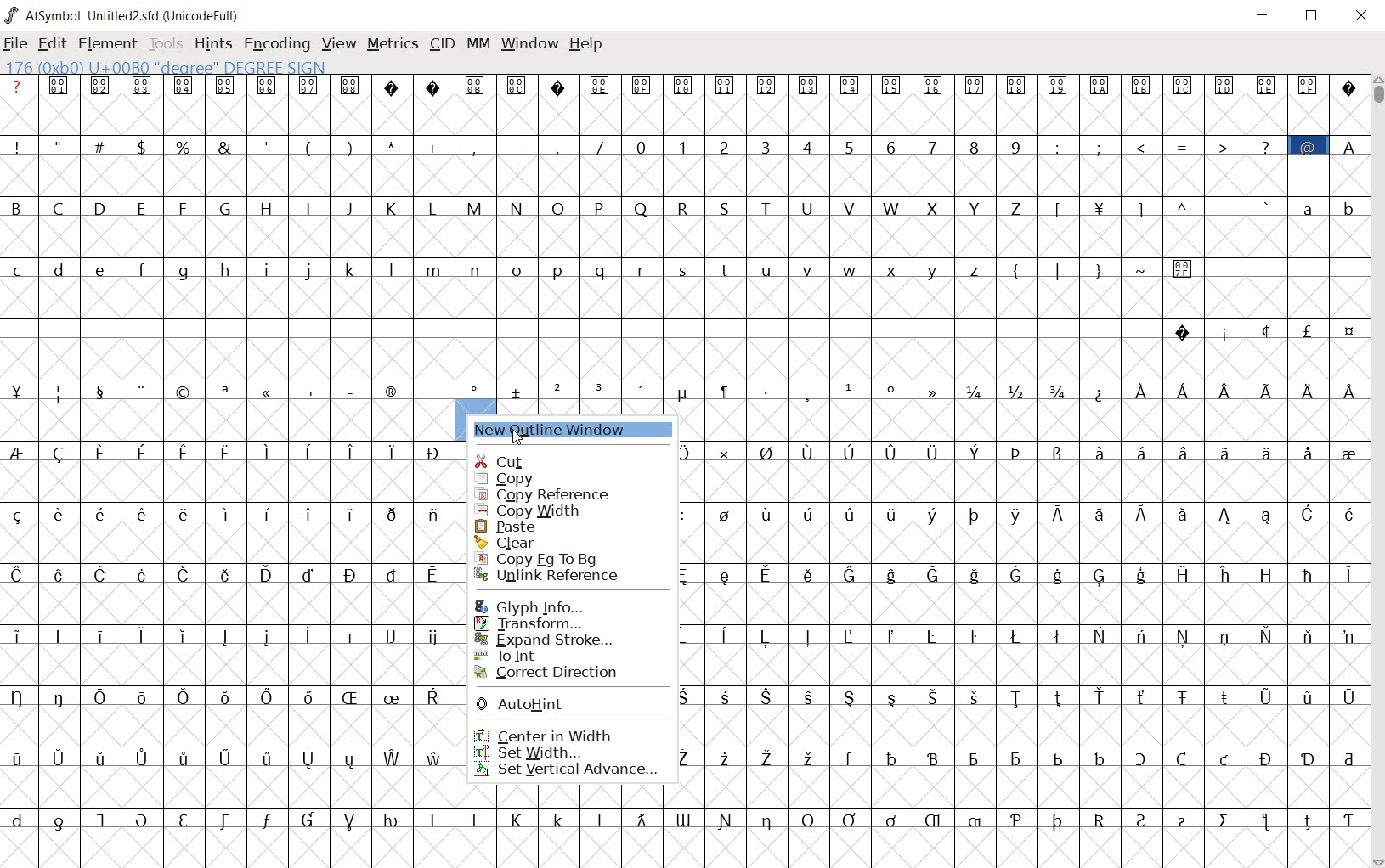  What do you see at coordinates (170, 68) in the screenshot?
I see `176 (0xb0) U+00B00 "degree" Degree Sign` at bounding box center [170, 68].